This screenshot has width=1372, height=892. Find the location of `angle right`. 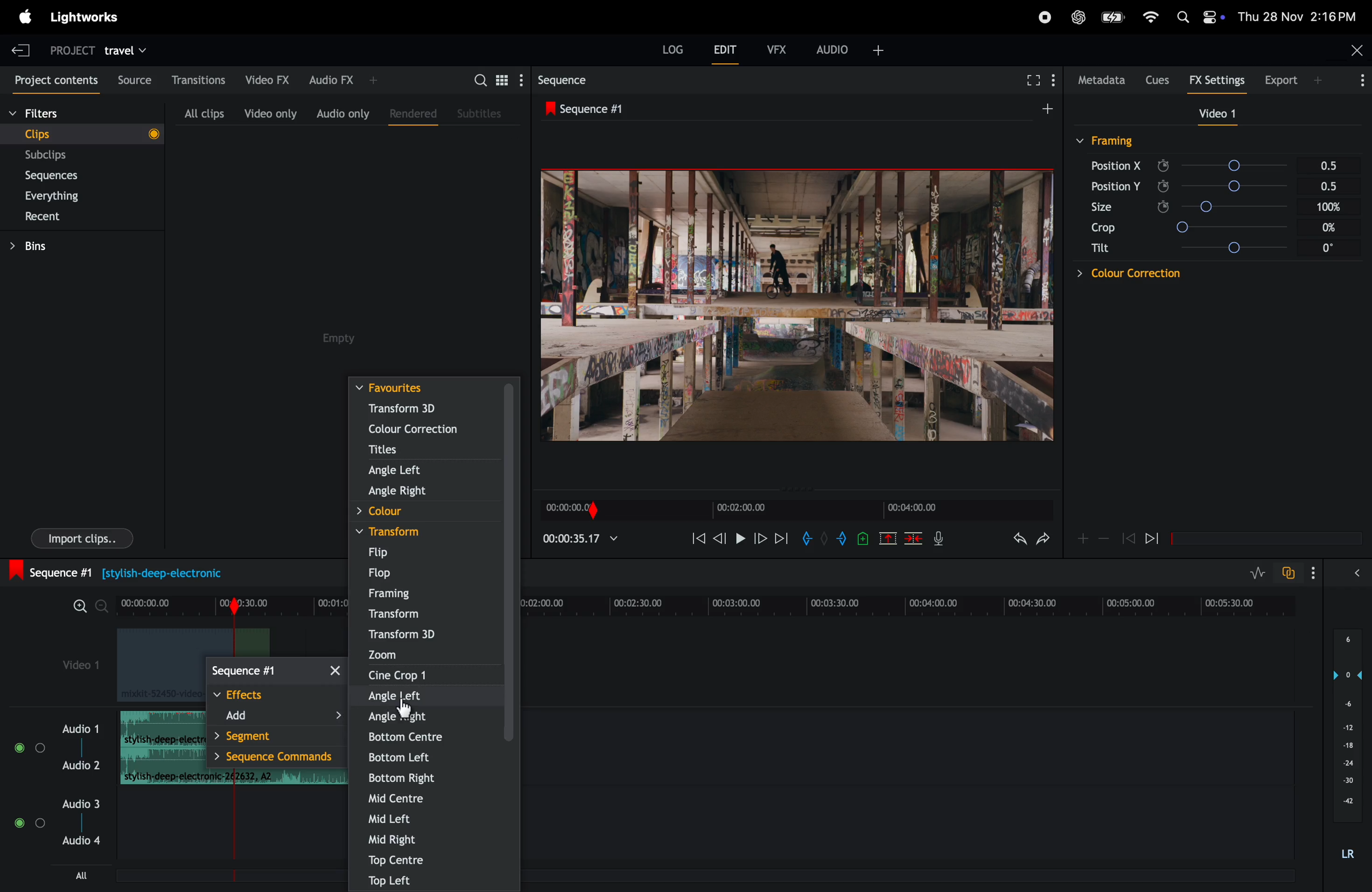

angle right is located at coordinates (419, 717).